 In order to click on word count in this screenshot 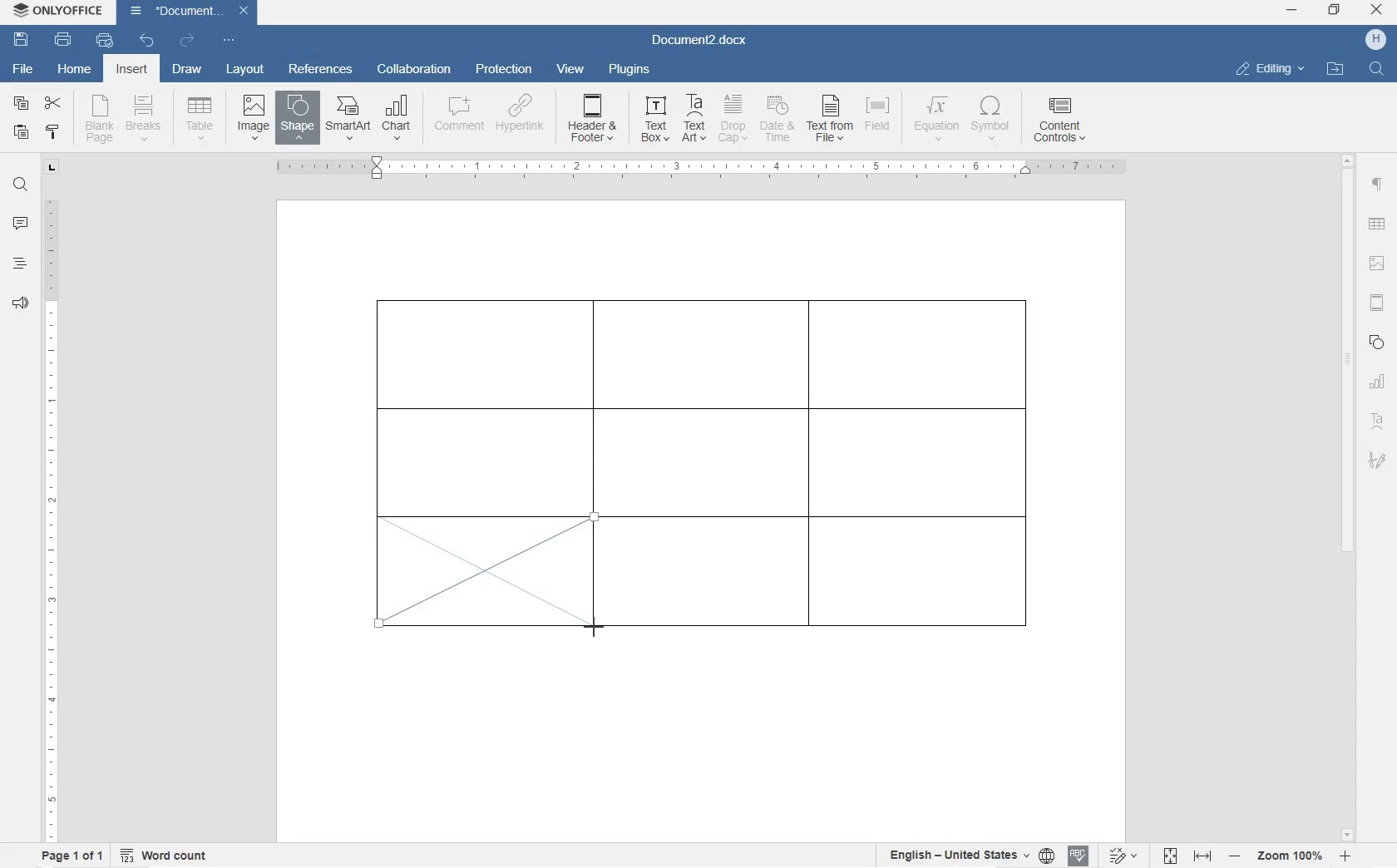, I will do `click(165, 855)`.